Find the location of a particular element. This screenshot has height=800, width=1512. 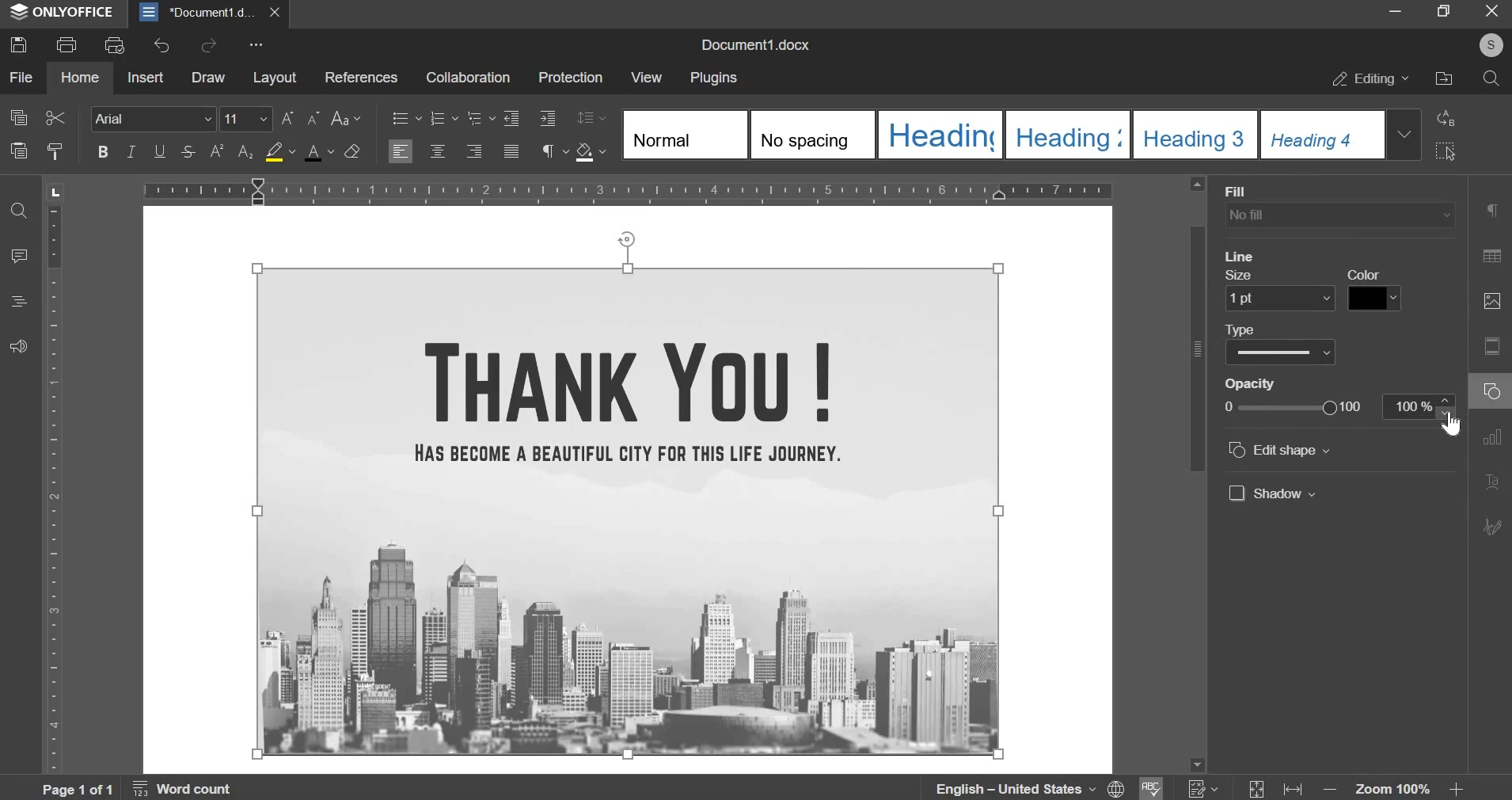

redo is located at coordinates (207, 44).